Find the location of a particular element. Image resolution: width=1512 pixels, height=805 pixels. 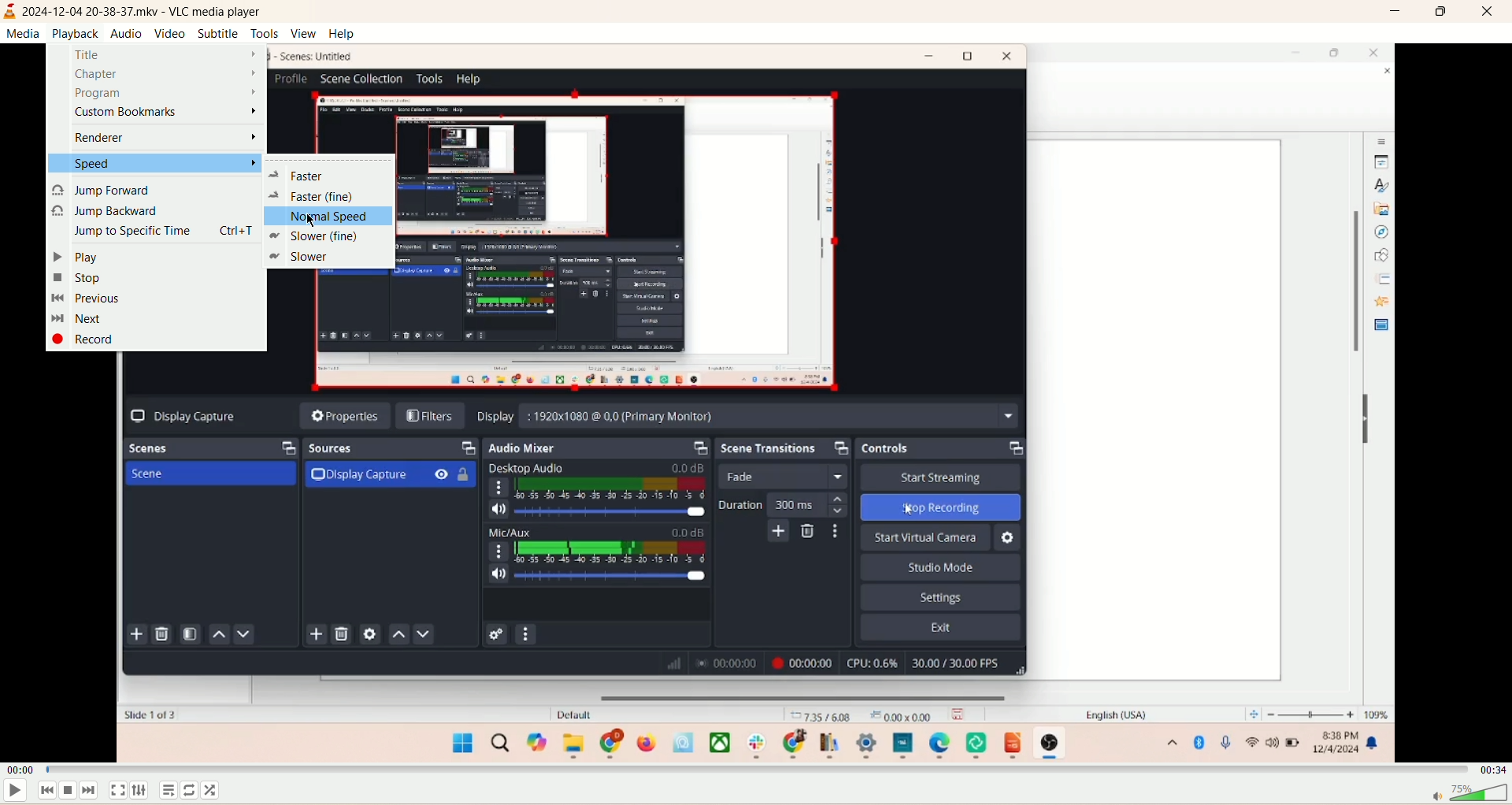

normal speed is located at coordinates (329, 214).